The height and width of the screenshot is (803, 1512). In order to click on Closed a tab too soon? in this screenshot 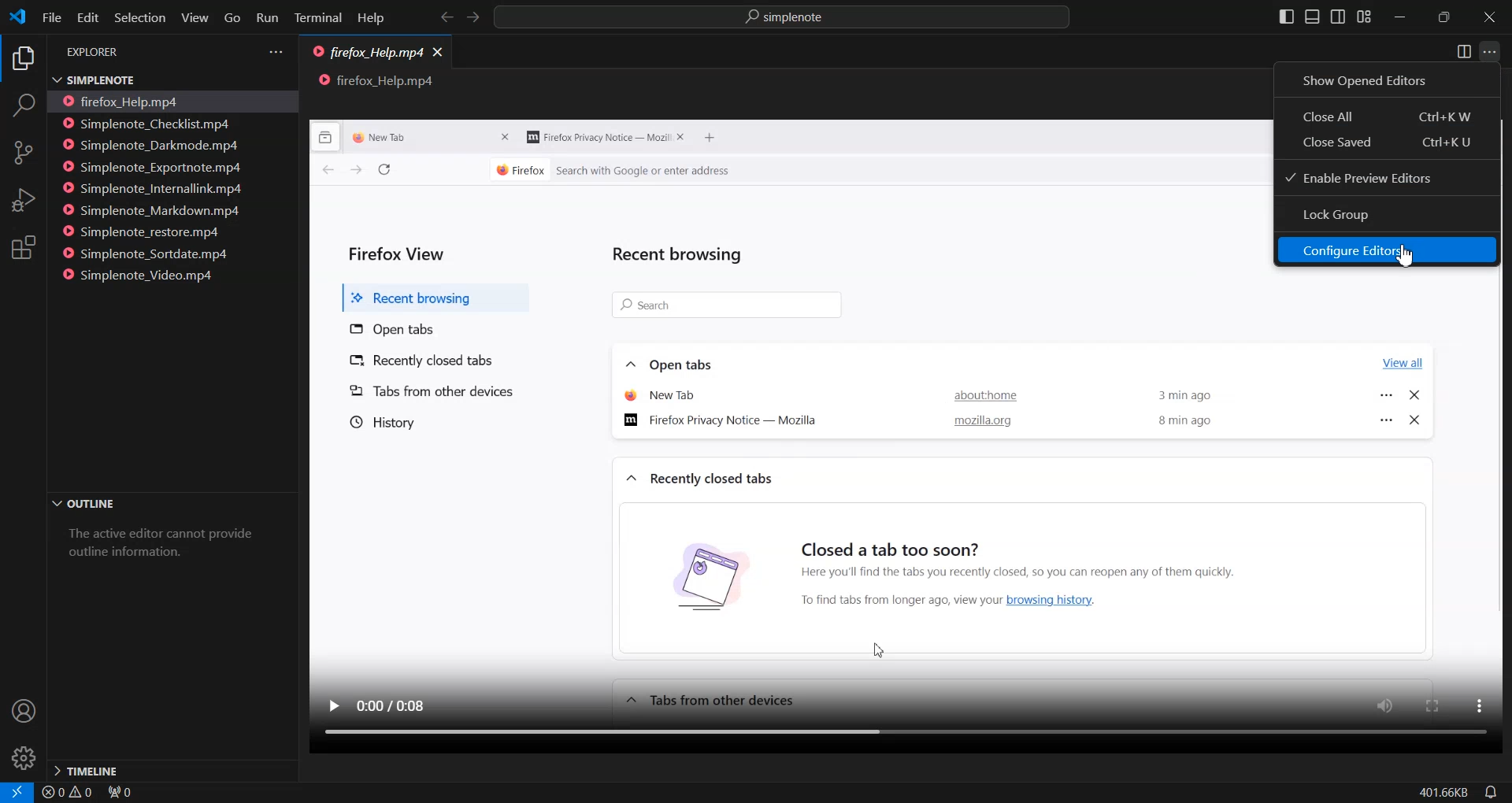, I will do `click(891, 543)`.